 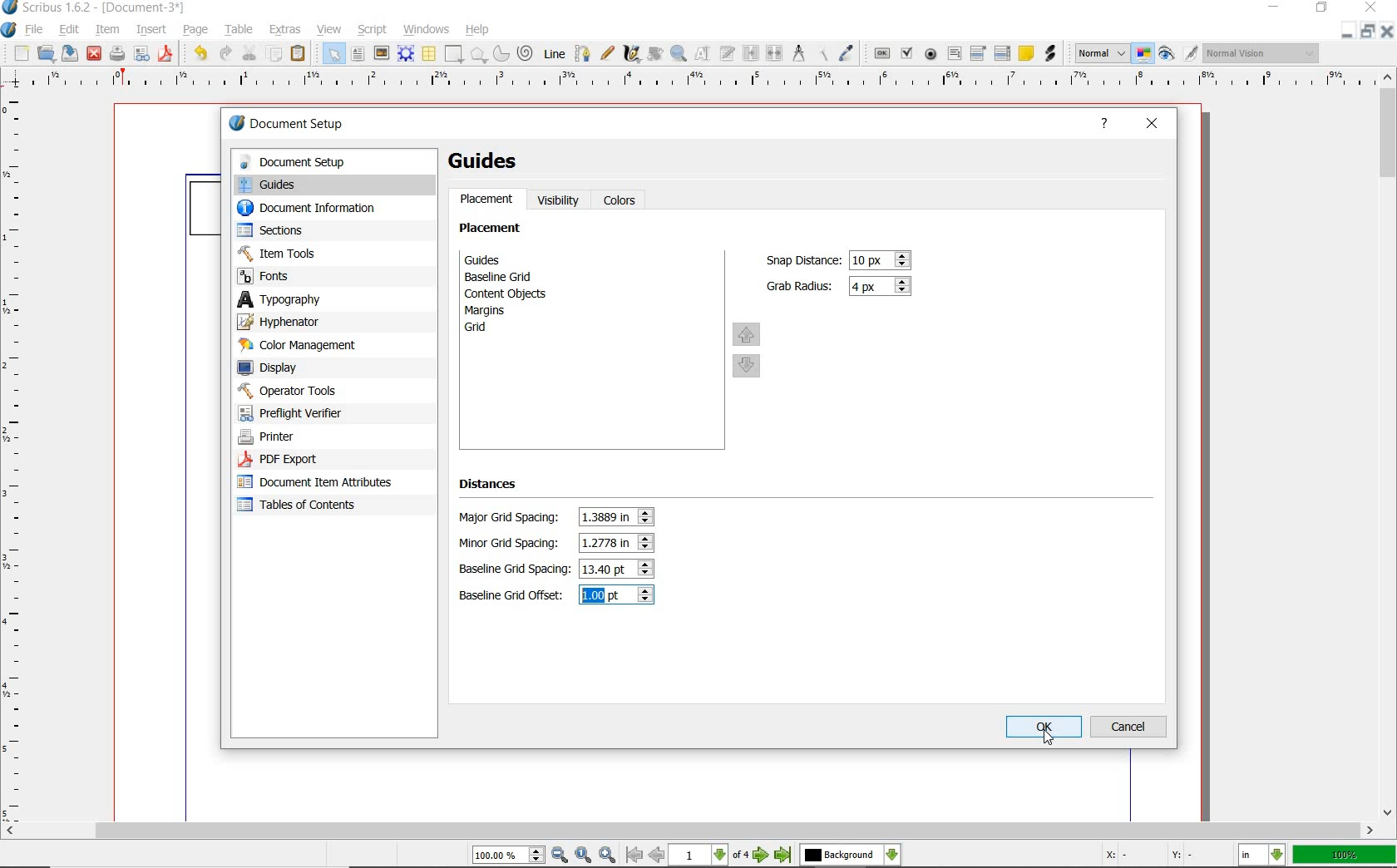 I want to click on Tables of contents, so click(x=305, y=506).